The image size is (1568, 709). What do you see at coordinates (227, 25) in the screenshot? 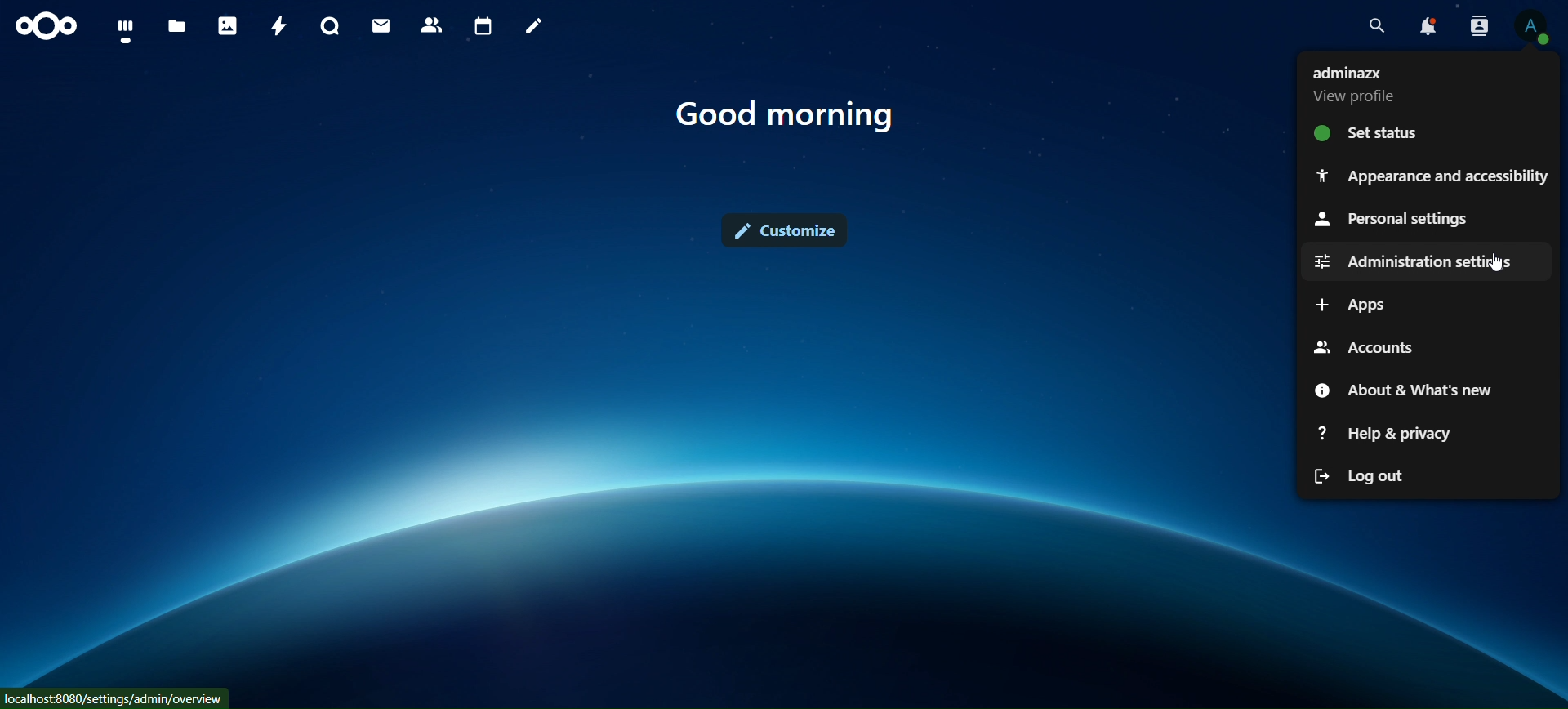
I see `photos` at bounding box center [227, 25].